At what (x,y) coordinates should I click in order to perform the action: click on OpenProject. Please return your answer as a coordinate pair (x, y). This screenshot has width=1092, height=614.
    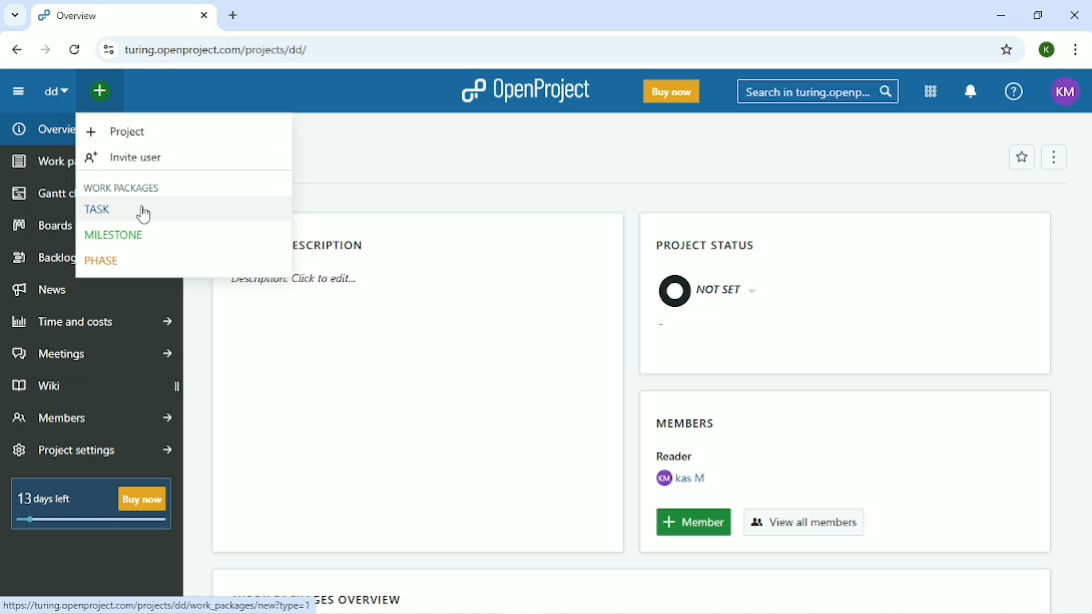
    Looking at the image, I should click on (527, 91).